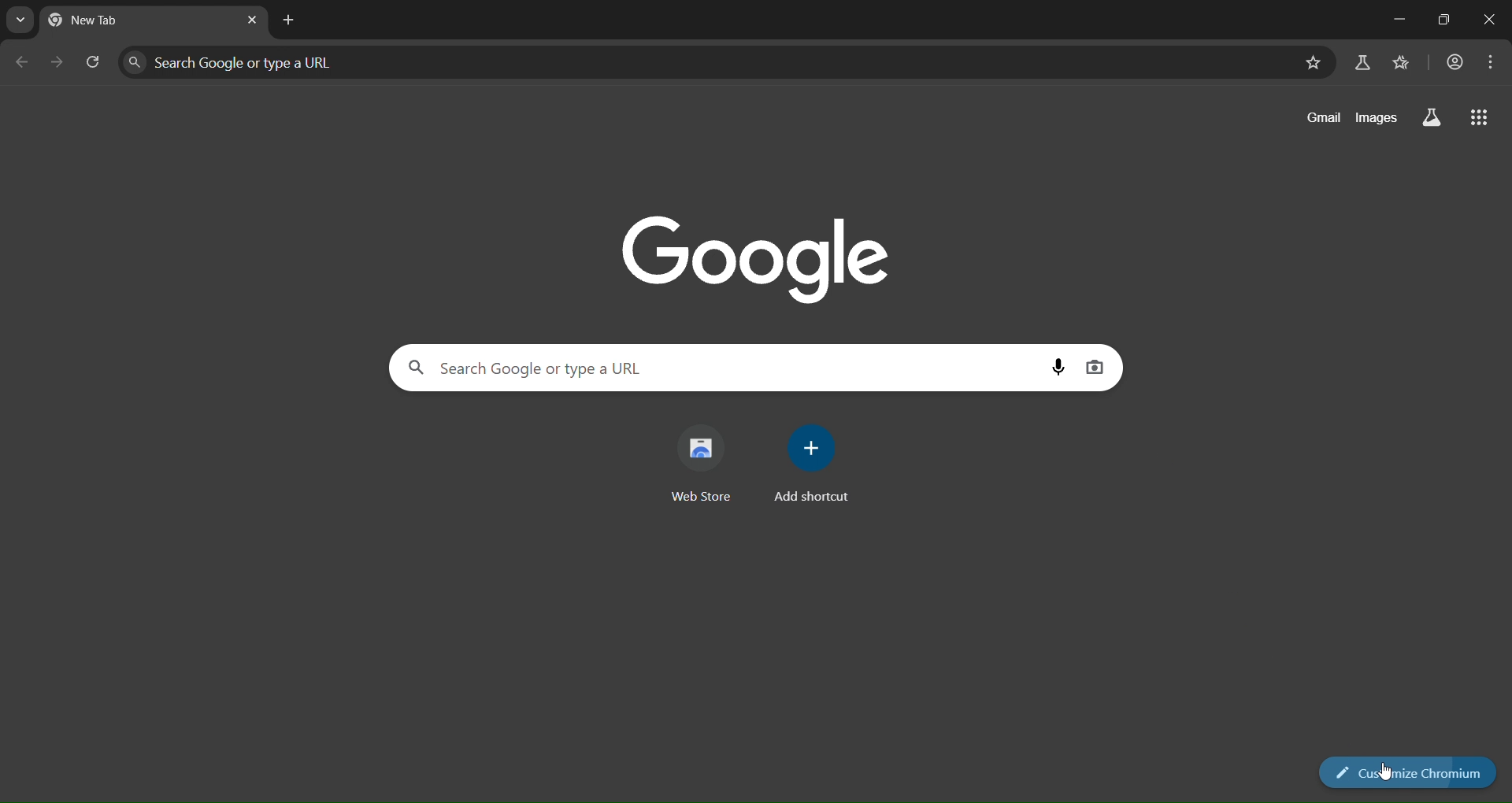  I want to click on maximize, so click(1440, 18).